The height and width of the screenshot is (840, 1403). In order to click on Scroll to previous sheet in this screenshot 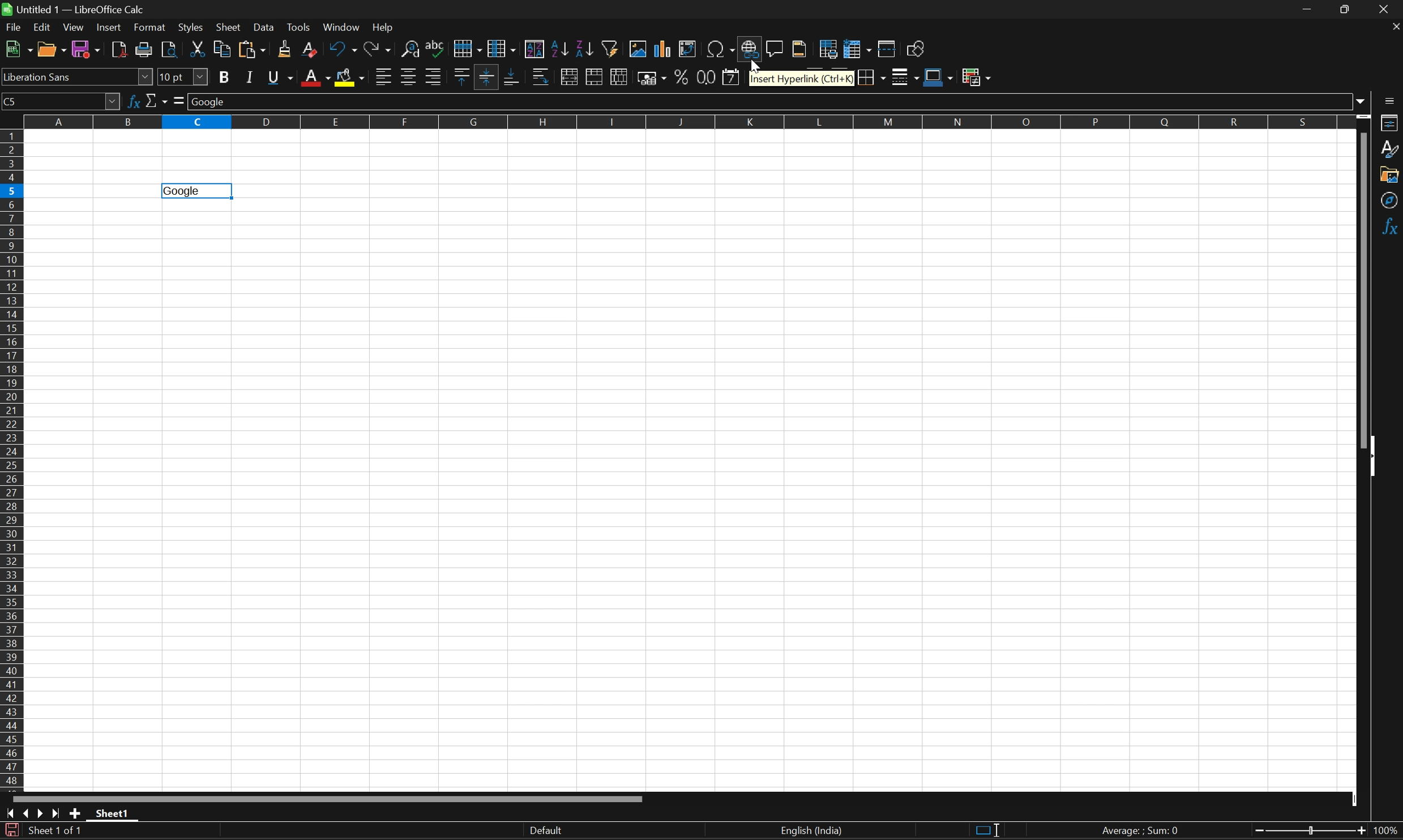, I will do `click(27, 813)`.